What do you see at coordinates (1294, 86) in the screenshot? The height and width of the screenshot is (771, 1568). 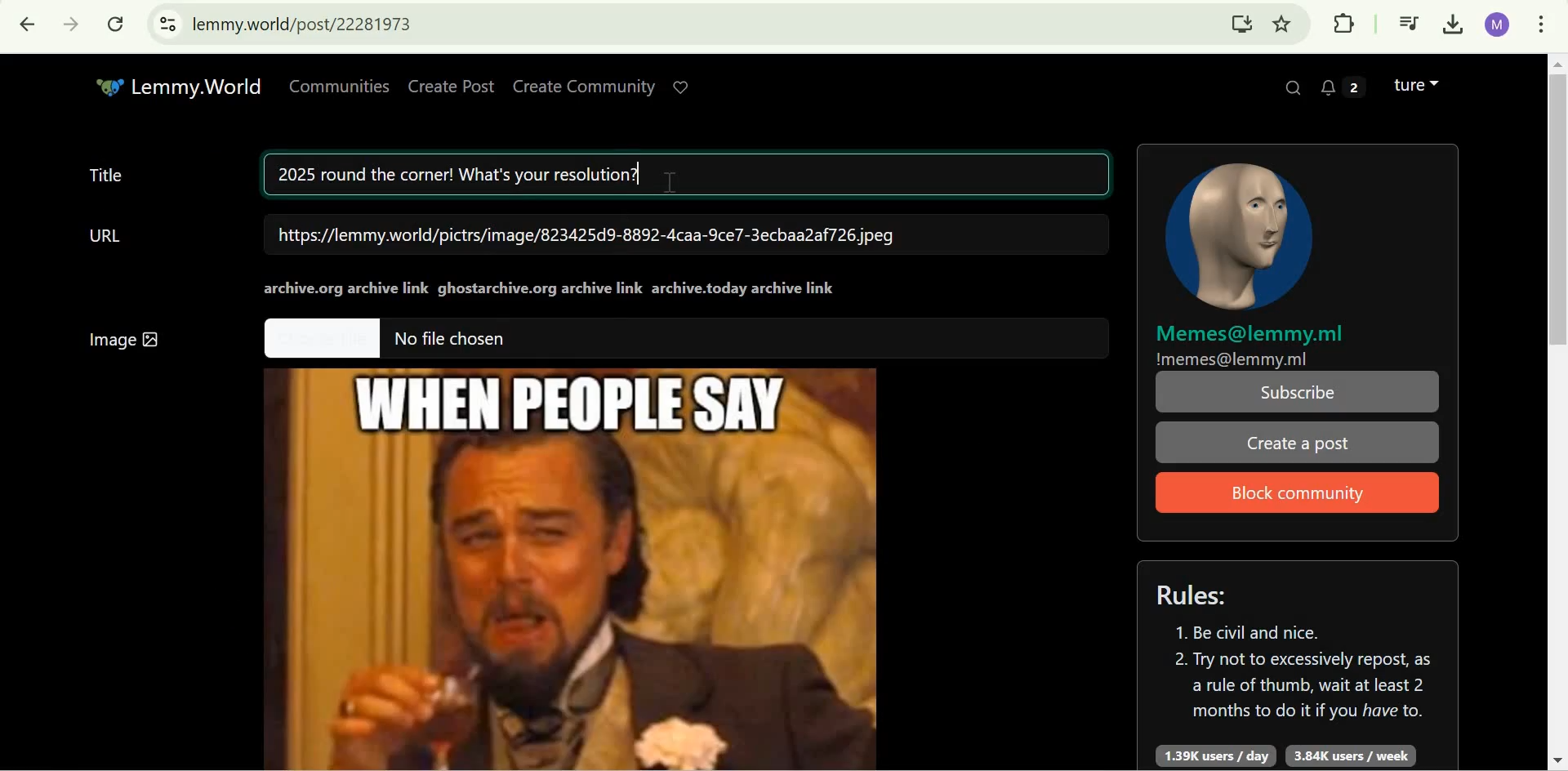 I see `Search` at bounding box center [1294, 86].